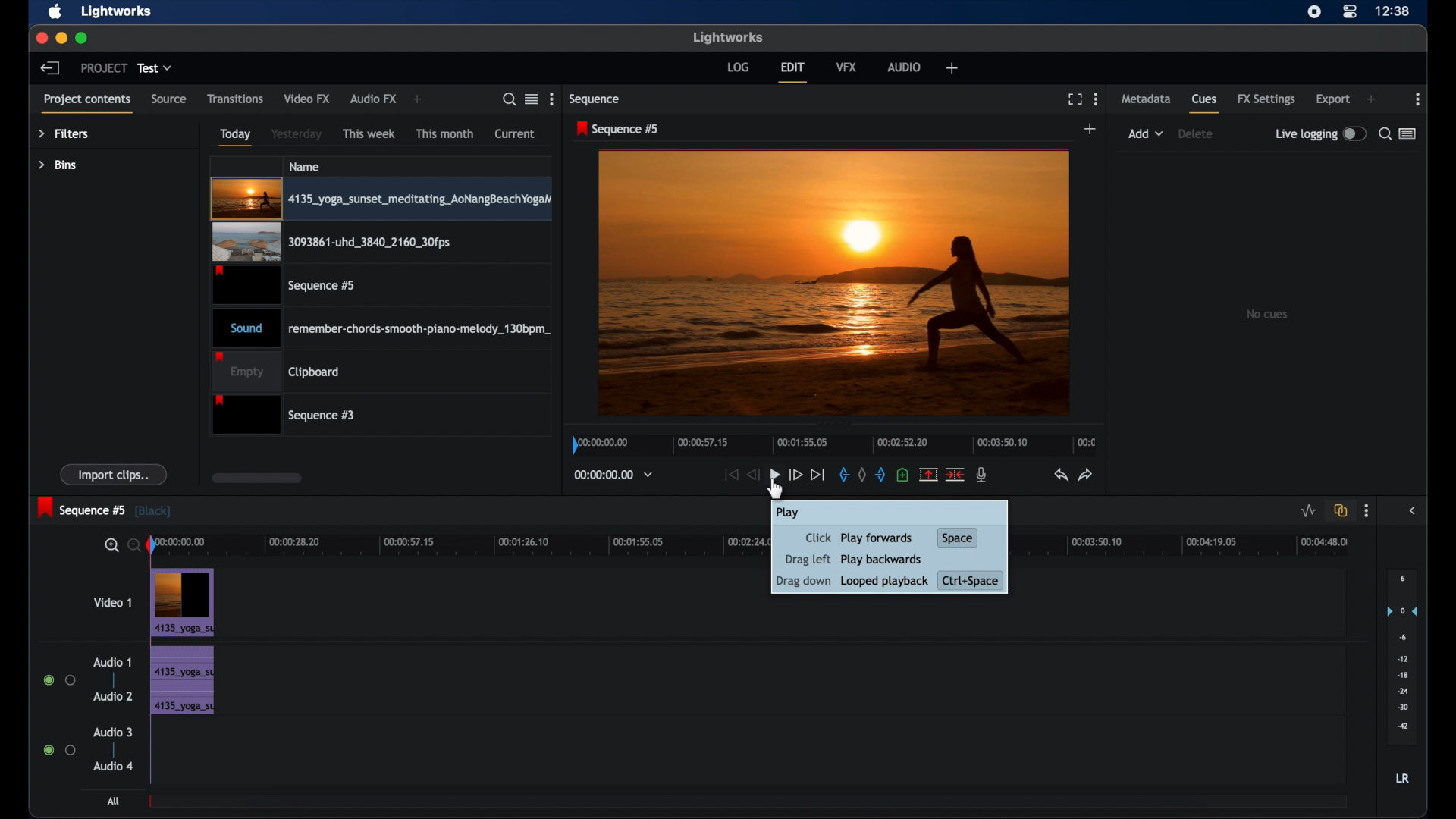 The height and width of the screenshot is (819, 1456). Describe the element at coordinates (952, 69) in the screenshot. I see `add` at that location.